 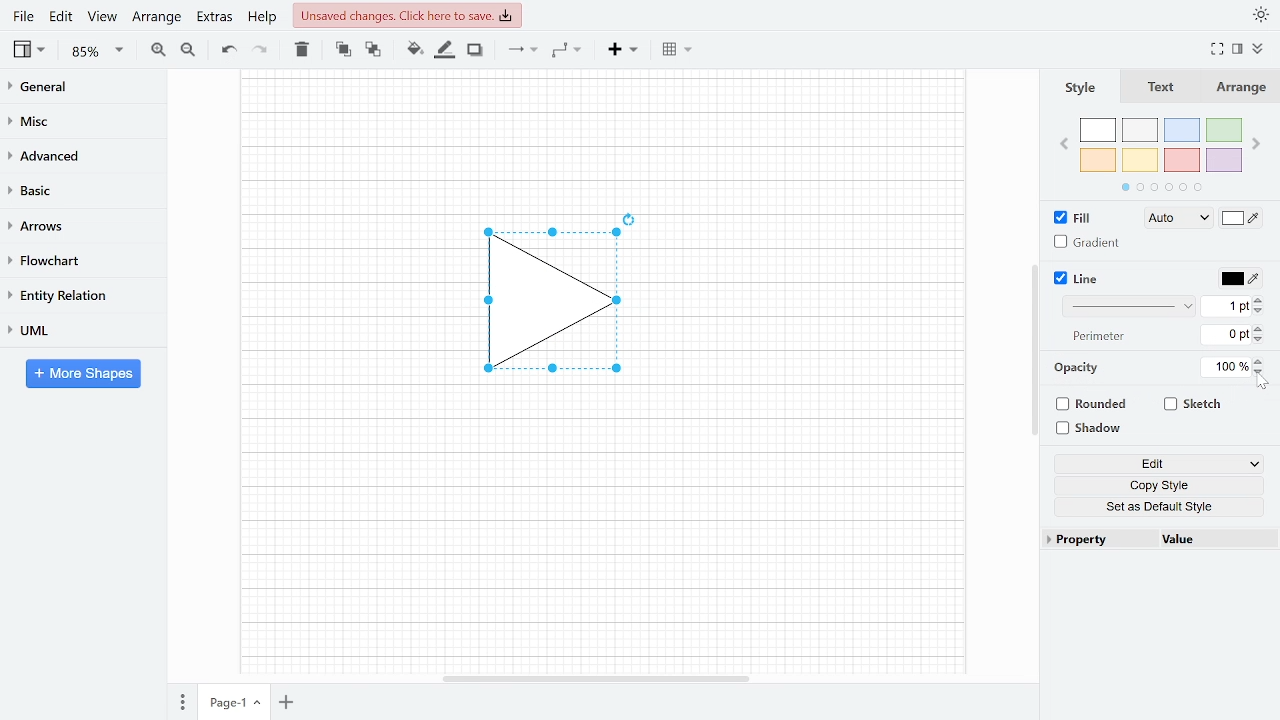 What do you see at coordinates (75, 295) in the screenshot?
I see `Entity relation` at bounding box center [75, 295].